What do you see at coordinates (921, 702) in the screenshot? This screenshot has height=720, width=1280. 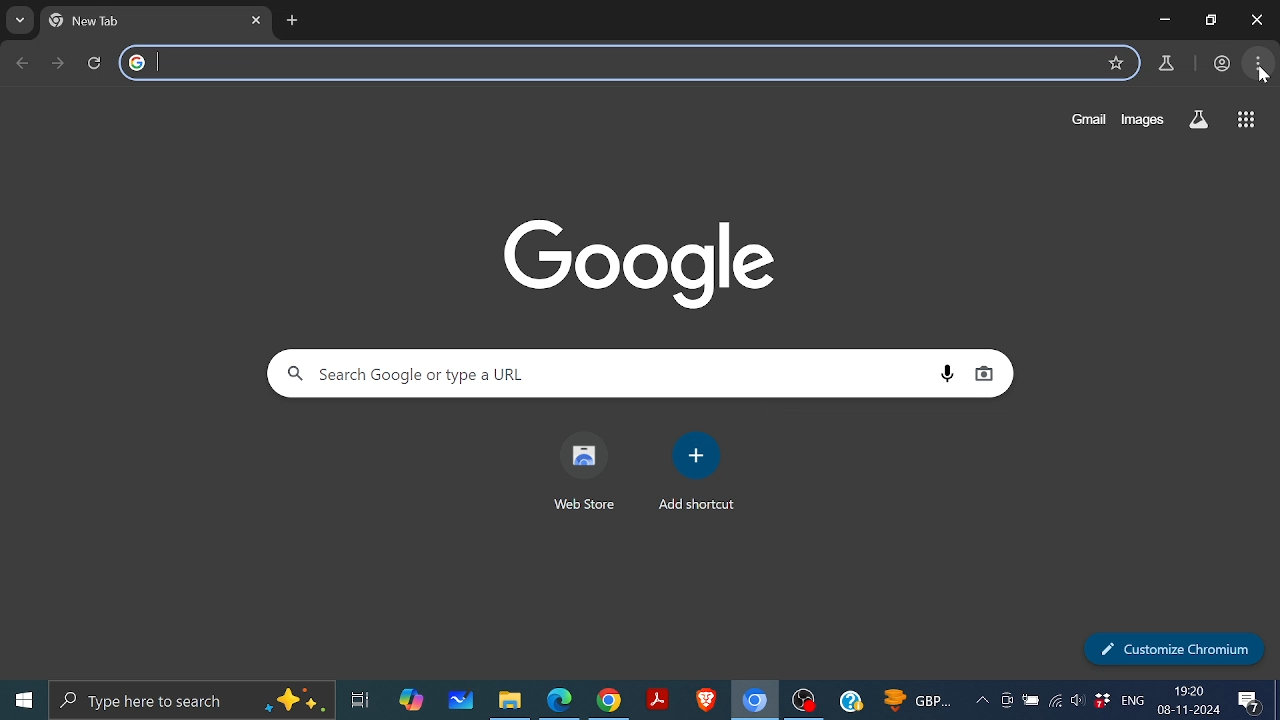 I see `GBP` at bounding box center [921, 702].